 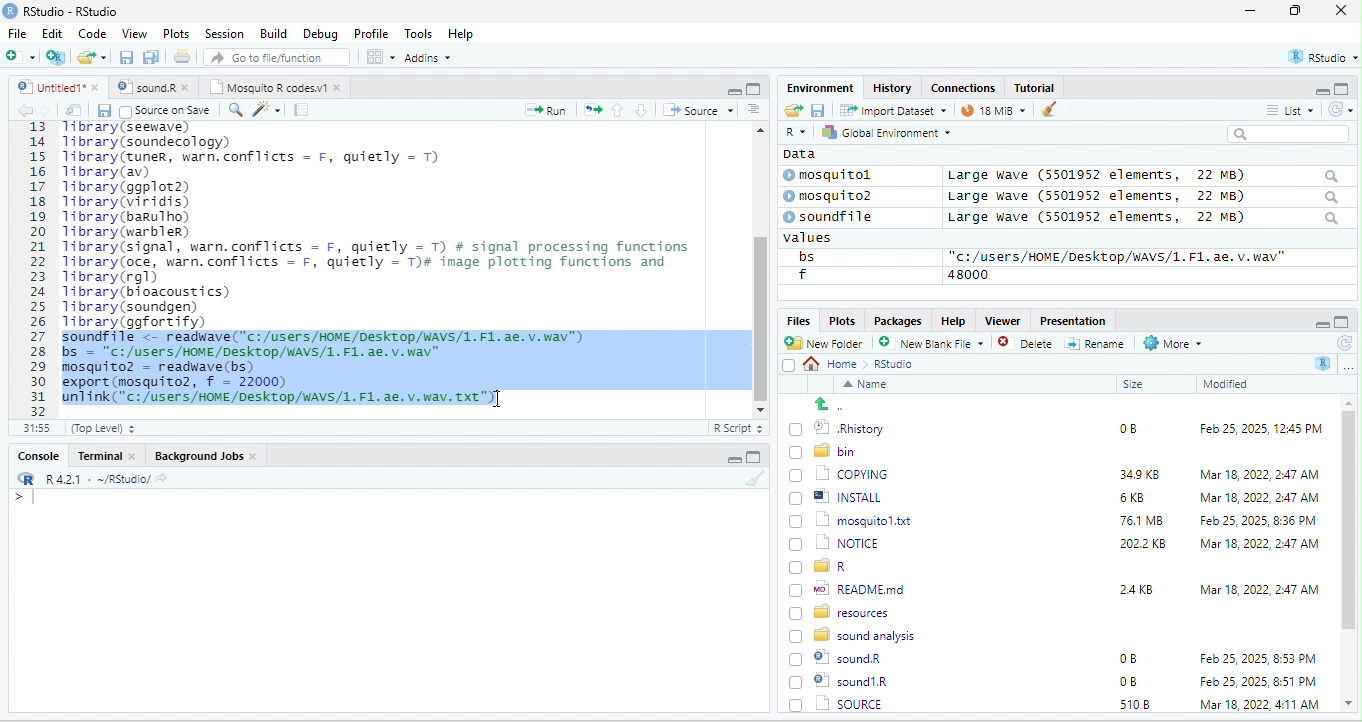 I want to click on 349K8, so click(x=1140, y=475).